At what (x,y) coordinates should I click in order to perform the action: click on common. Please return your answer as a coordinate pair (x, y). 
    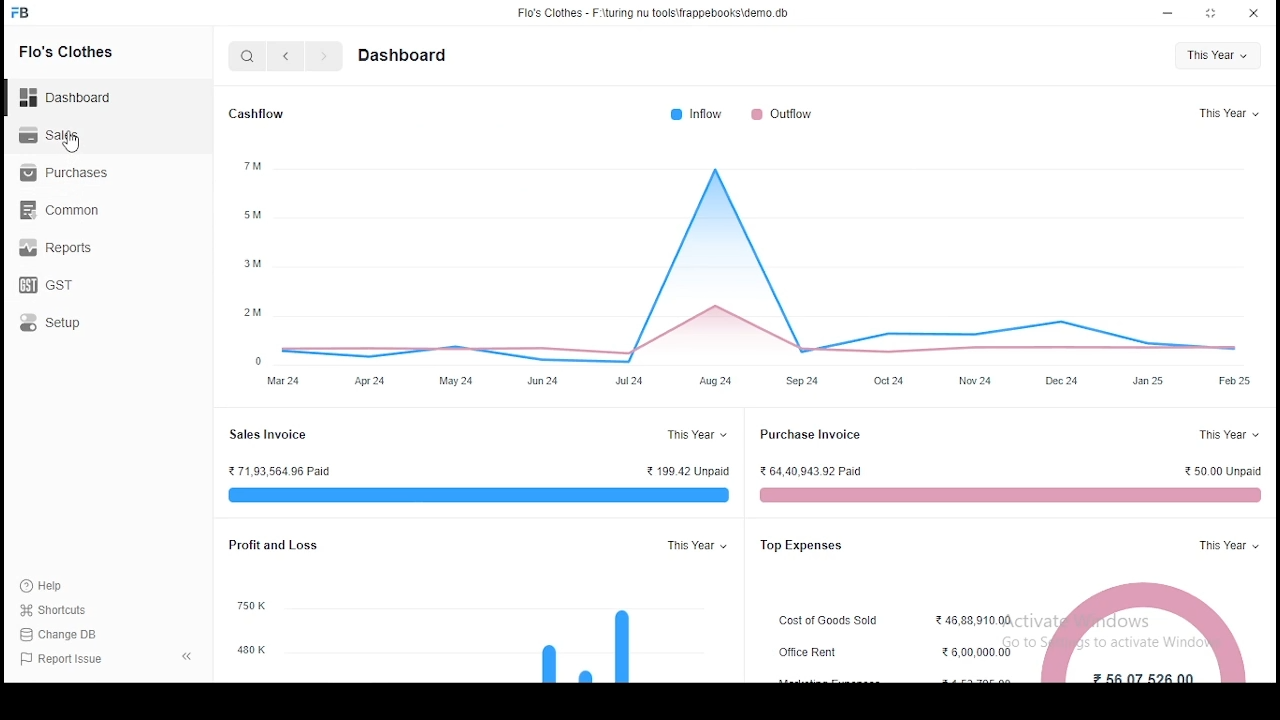
    Looking at the image, I should click on (61, 210).